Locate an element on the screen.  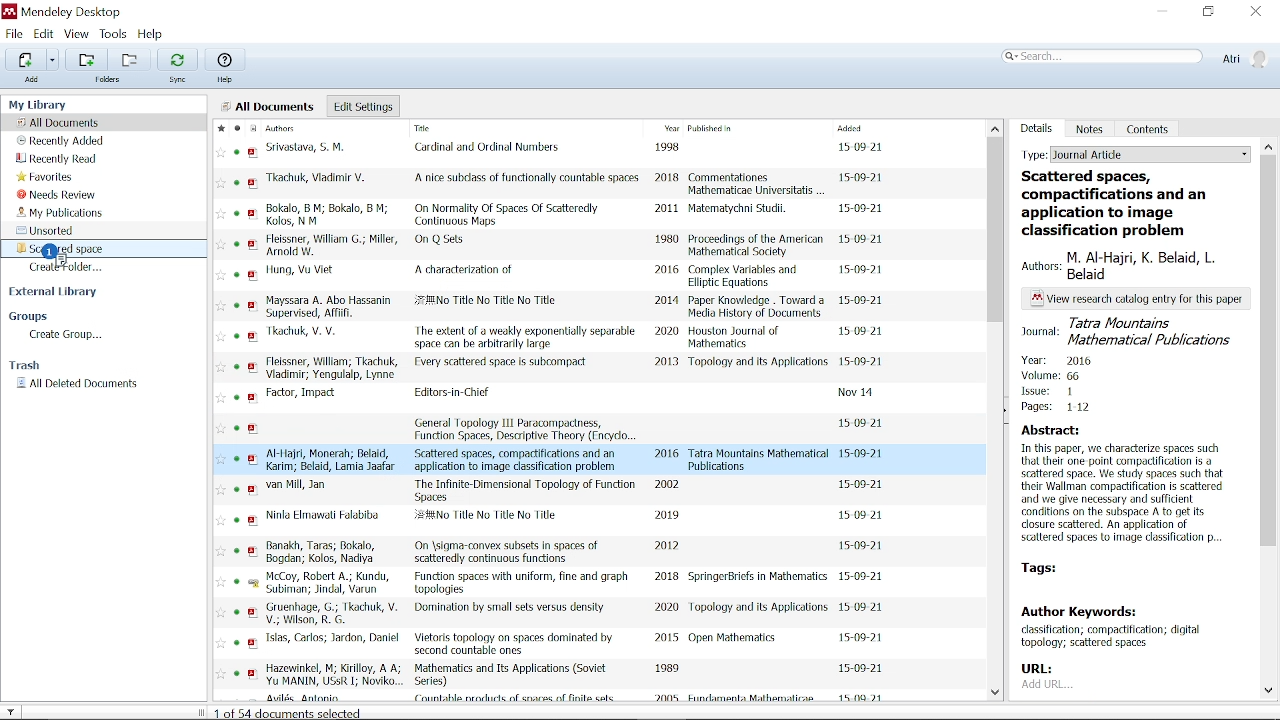
issue is located at coordinates (1049, 393).